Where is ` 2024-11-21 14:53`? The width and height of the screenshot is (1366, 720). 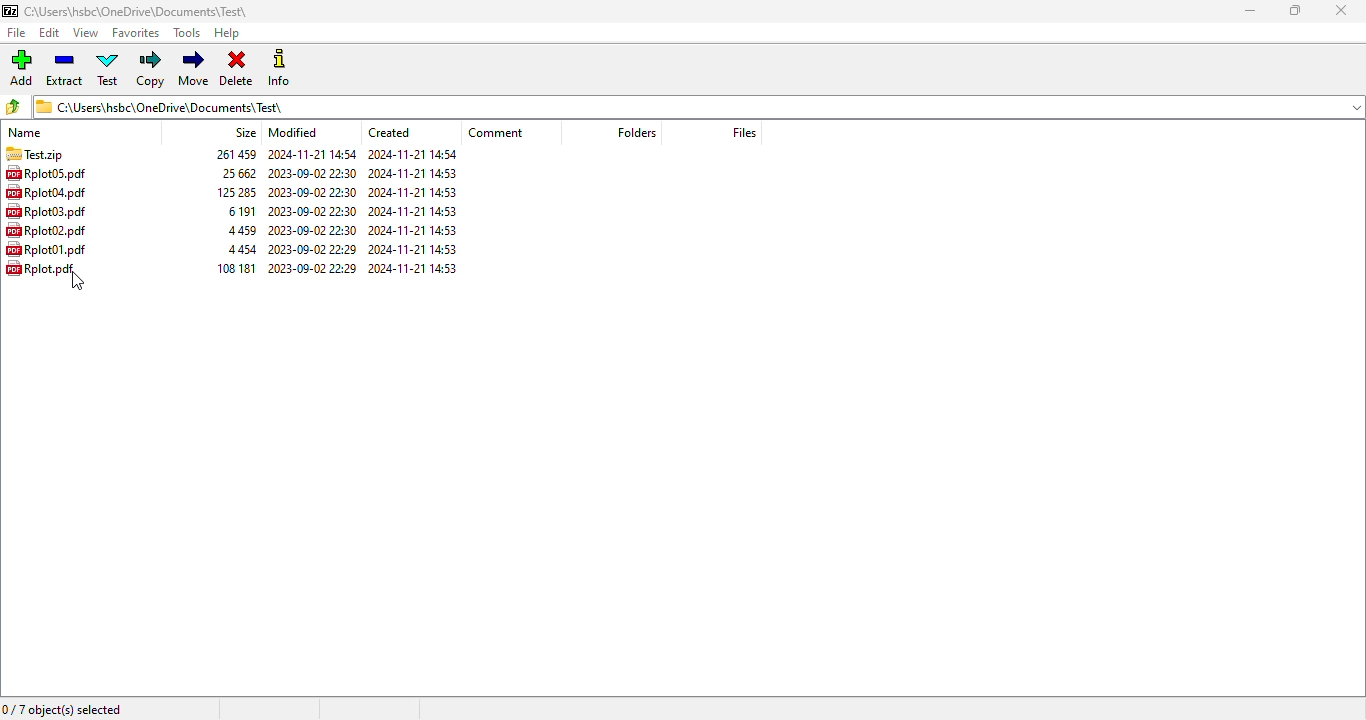
 2024-11-21 14:53 is located at coordinates (413, 251).